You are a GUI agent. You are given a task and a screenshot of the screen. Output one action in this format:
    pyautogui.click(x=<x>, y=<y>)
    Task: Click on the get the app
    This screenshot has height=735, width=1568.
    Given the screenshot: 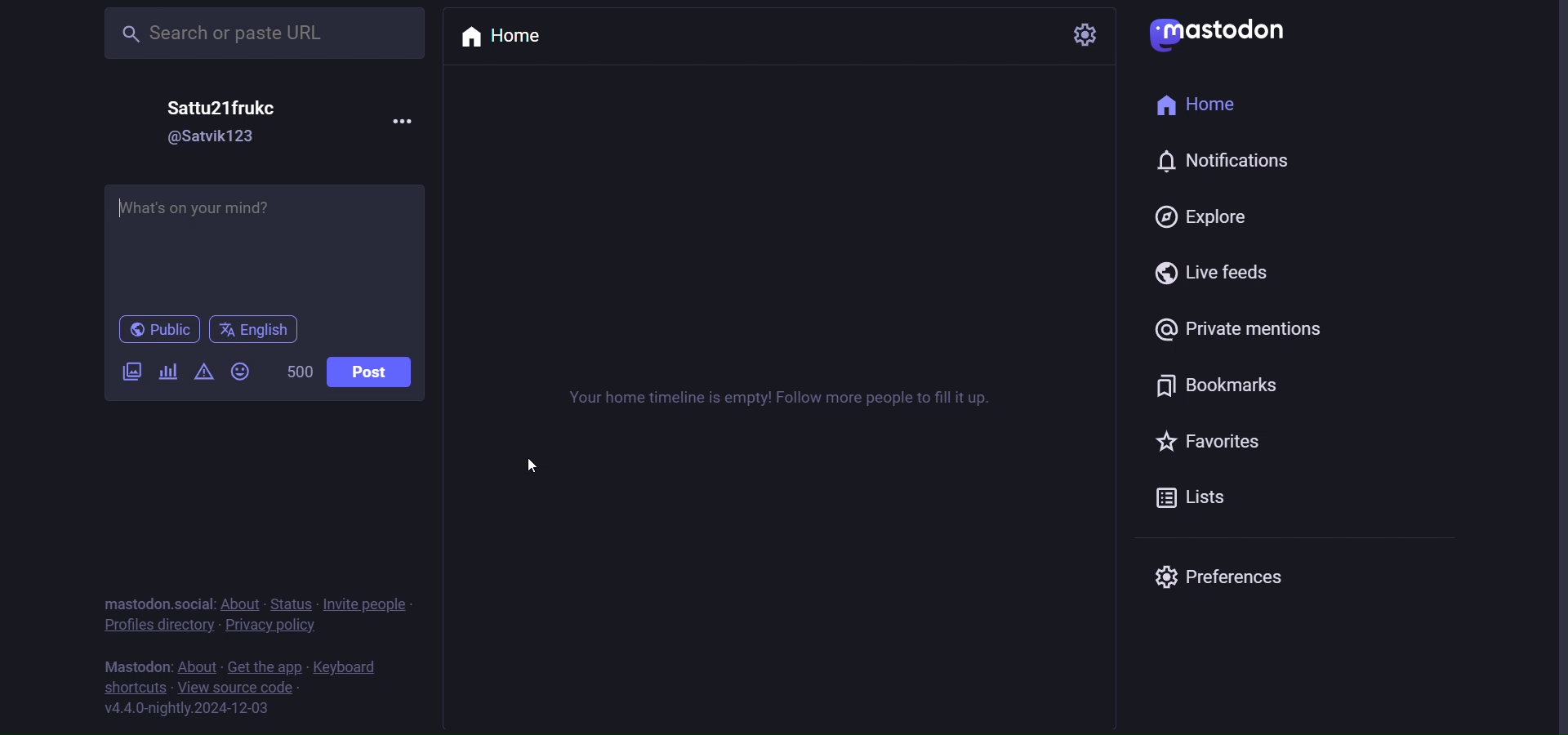 What is the action you would take?
    pyautogui.click(x=264, y=667)
    